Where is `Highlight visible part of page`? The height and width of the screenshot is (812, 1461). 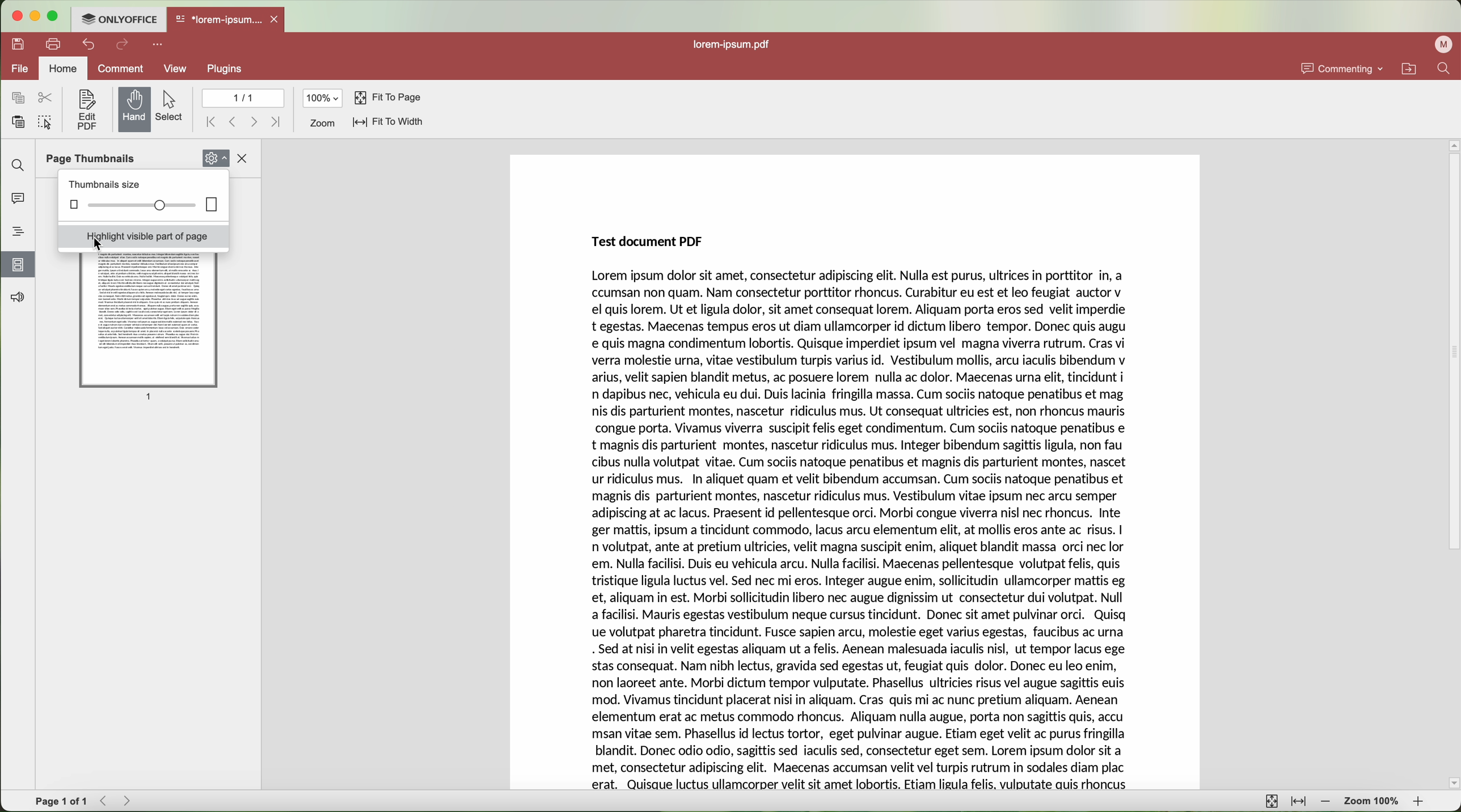
Highlight visible part of page is located at coordinates (141, 236).